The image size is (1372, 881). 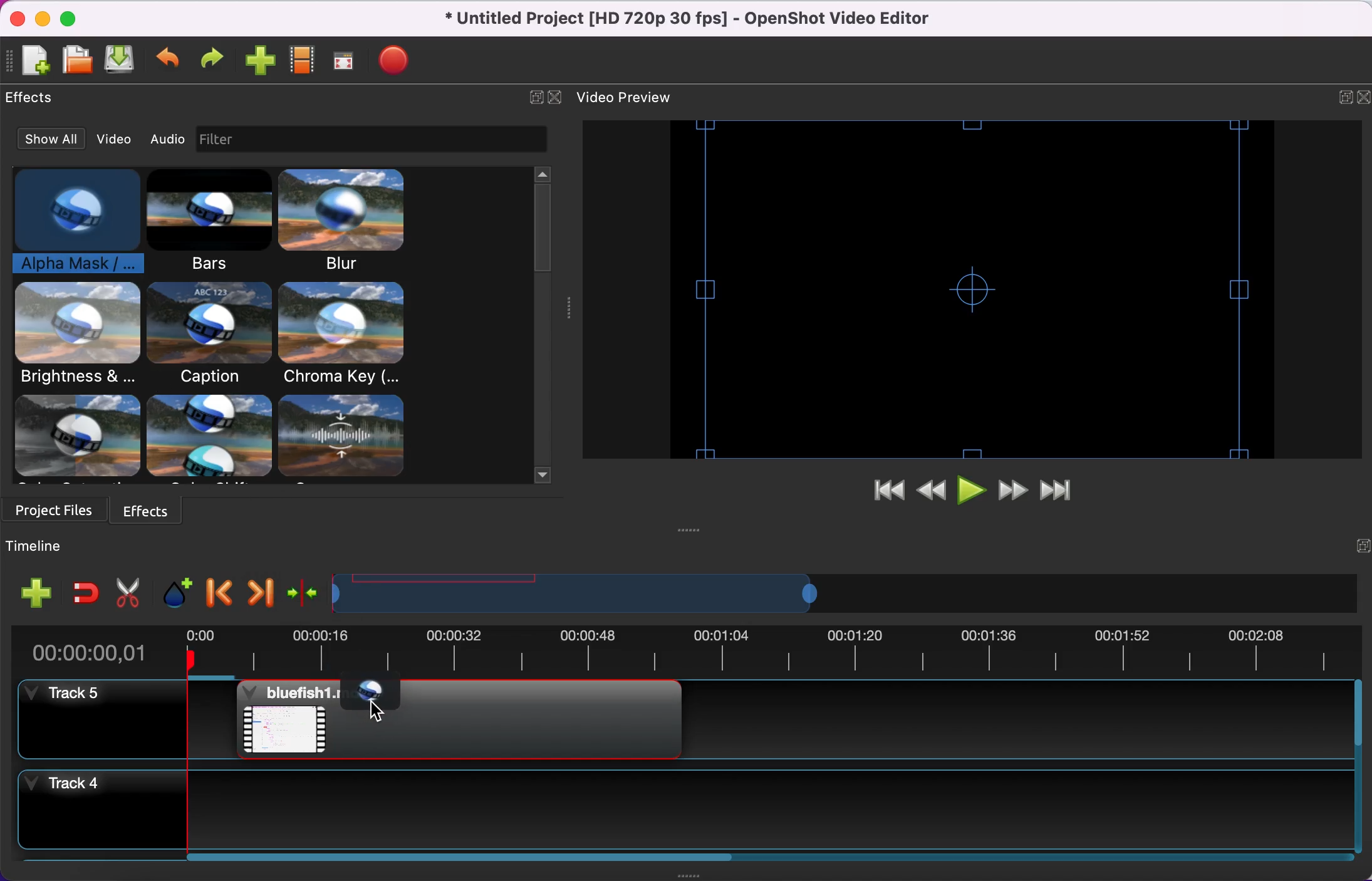 I want to click on open file, so click(x=77, y=61).